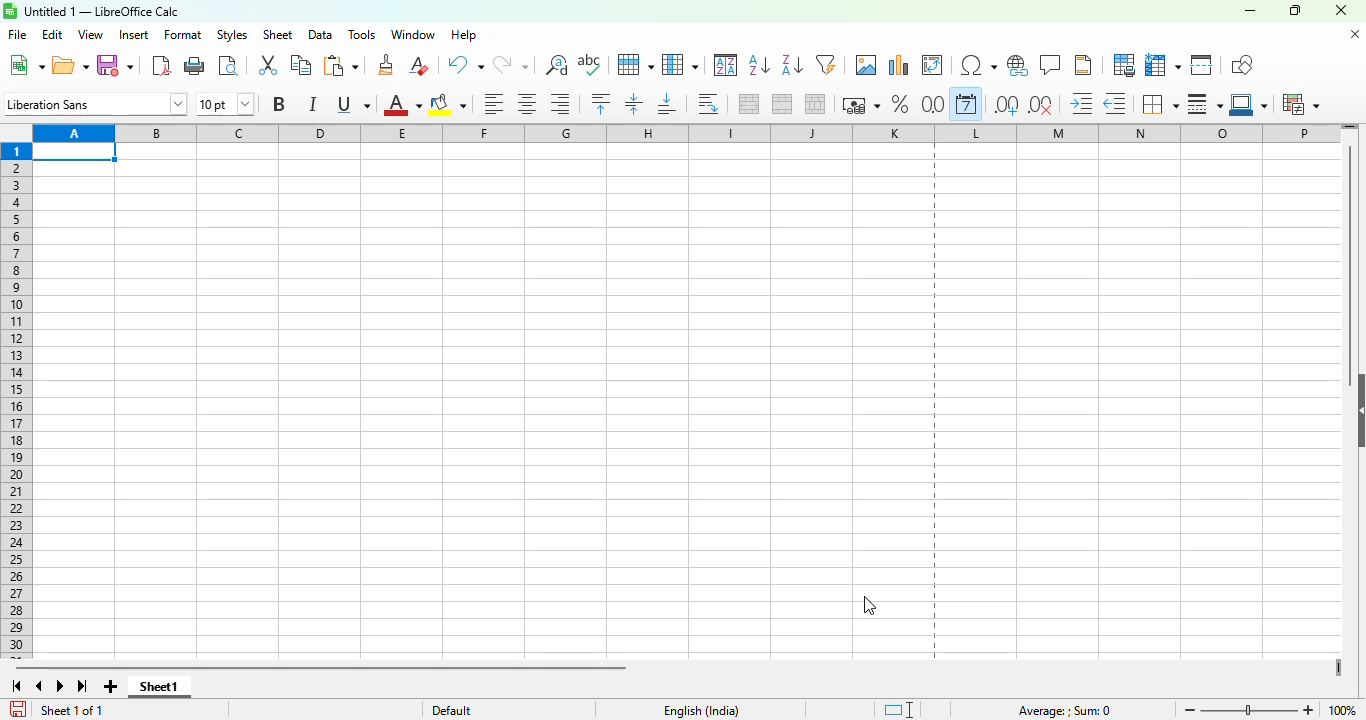  What do you see at coordinates (26, 65) in the screenshot?
I see `new` at bounding box center [26, 65].